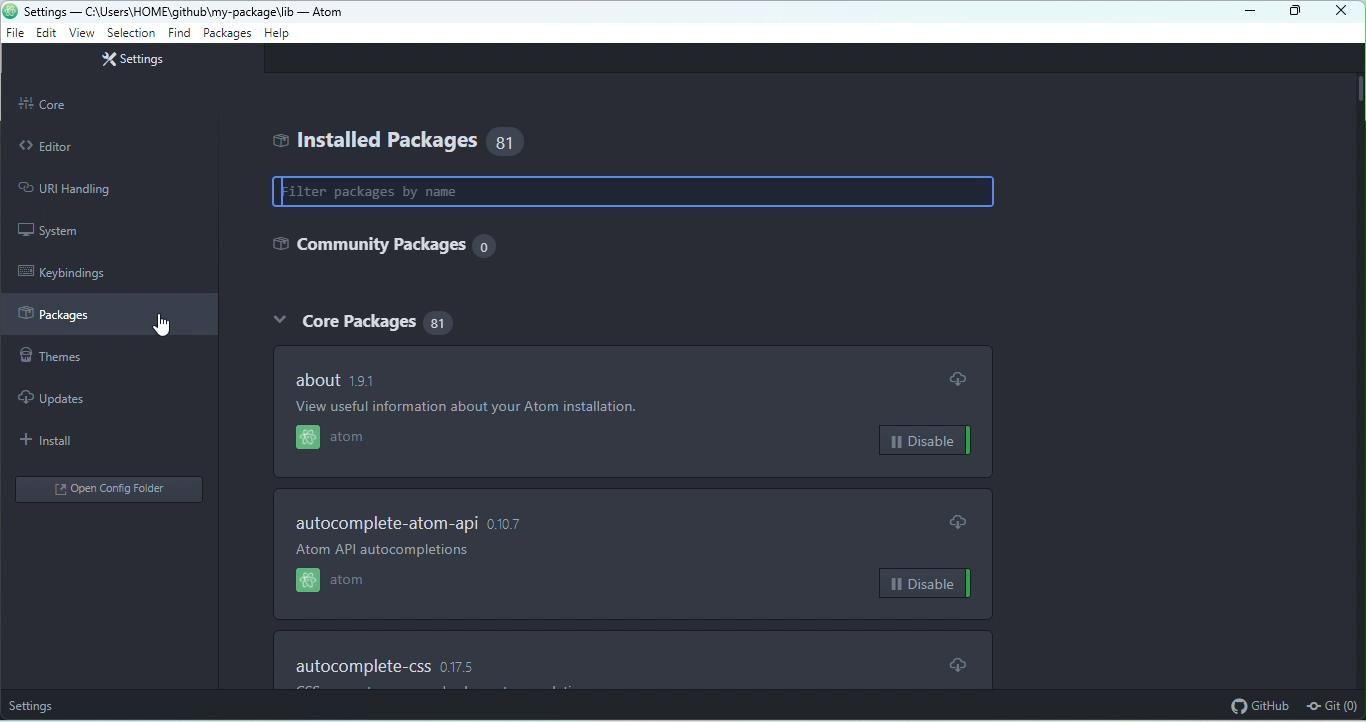 The image size is (1366, 722). What do you see at coordinates (385, 244) in the screenshot?
I see `community packages` at bounding box center [385, 244].